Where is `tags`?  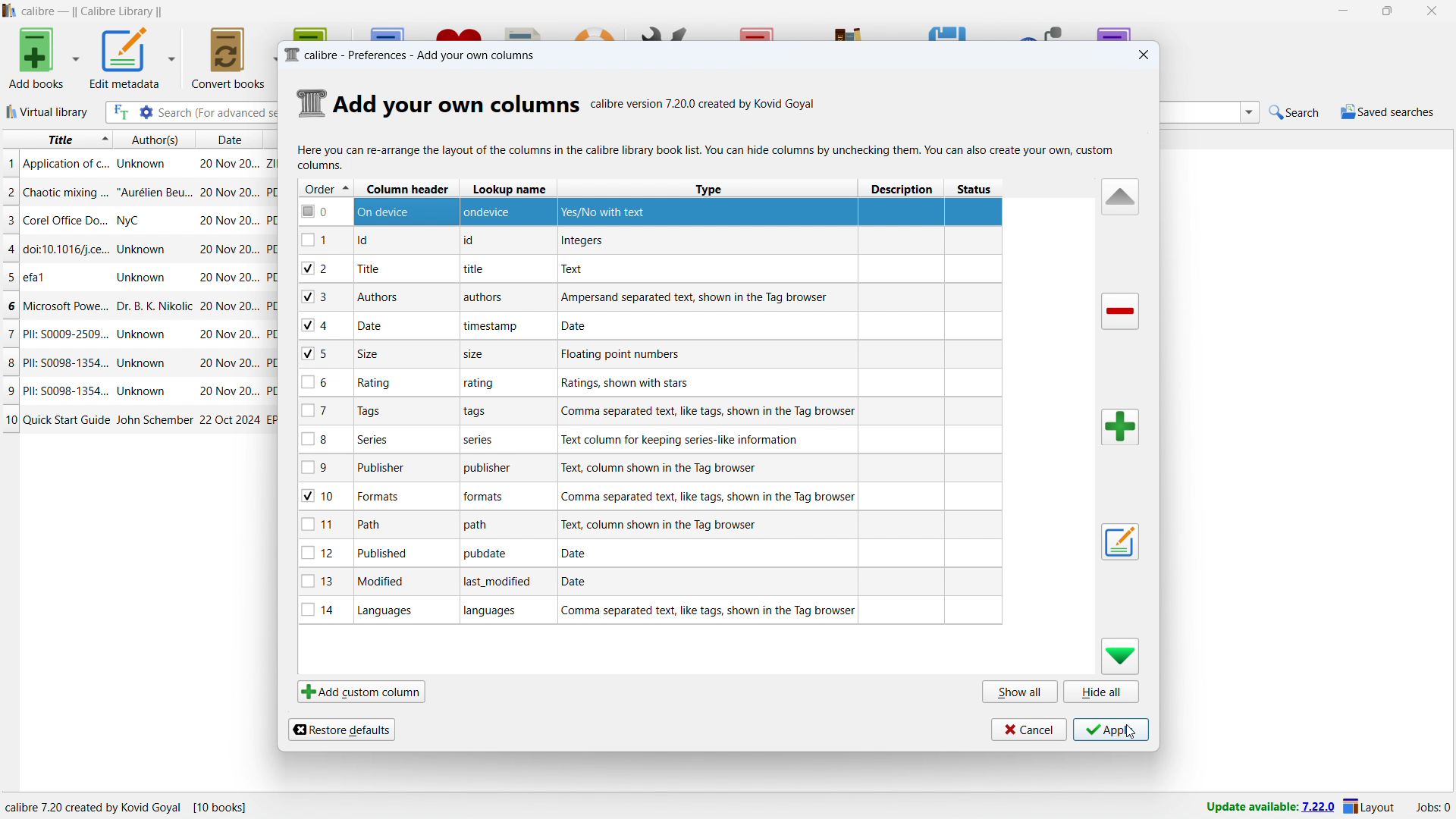 tags is located at coordinates (394, 413).